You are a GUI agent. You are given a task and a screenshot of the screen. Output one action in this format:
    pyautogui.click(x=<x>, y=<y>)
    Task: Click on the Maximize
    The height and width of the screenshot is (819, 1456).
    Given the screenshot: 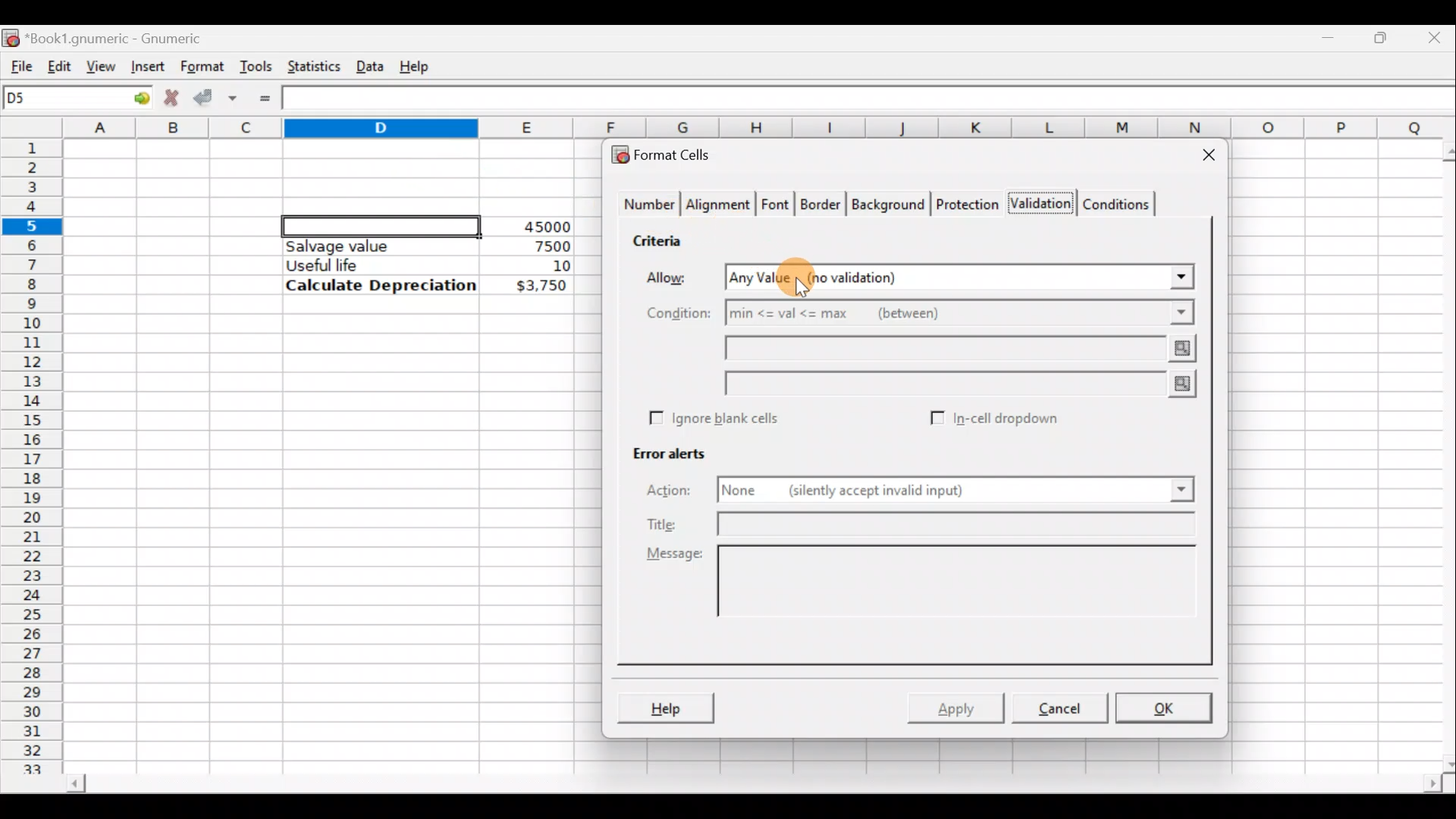 What is the action you would take?
    pyautogui.click(x=1379, y=37)
    